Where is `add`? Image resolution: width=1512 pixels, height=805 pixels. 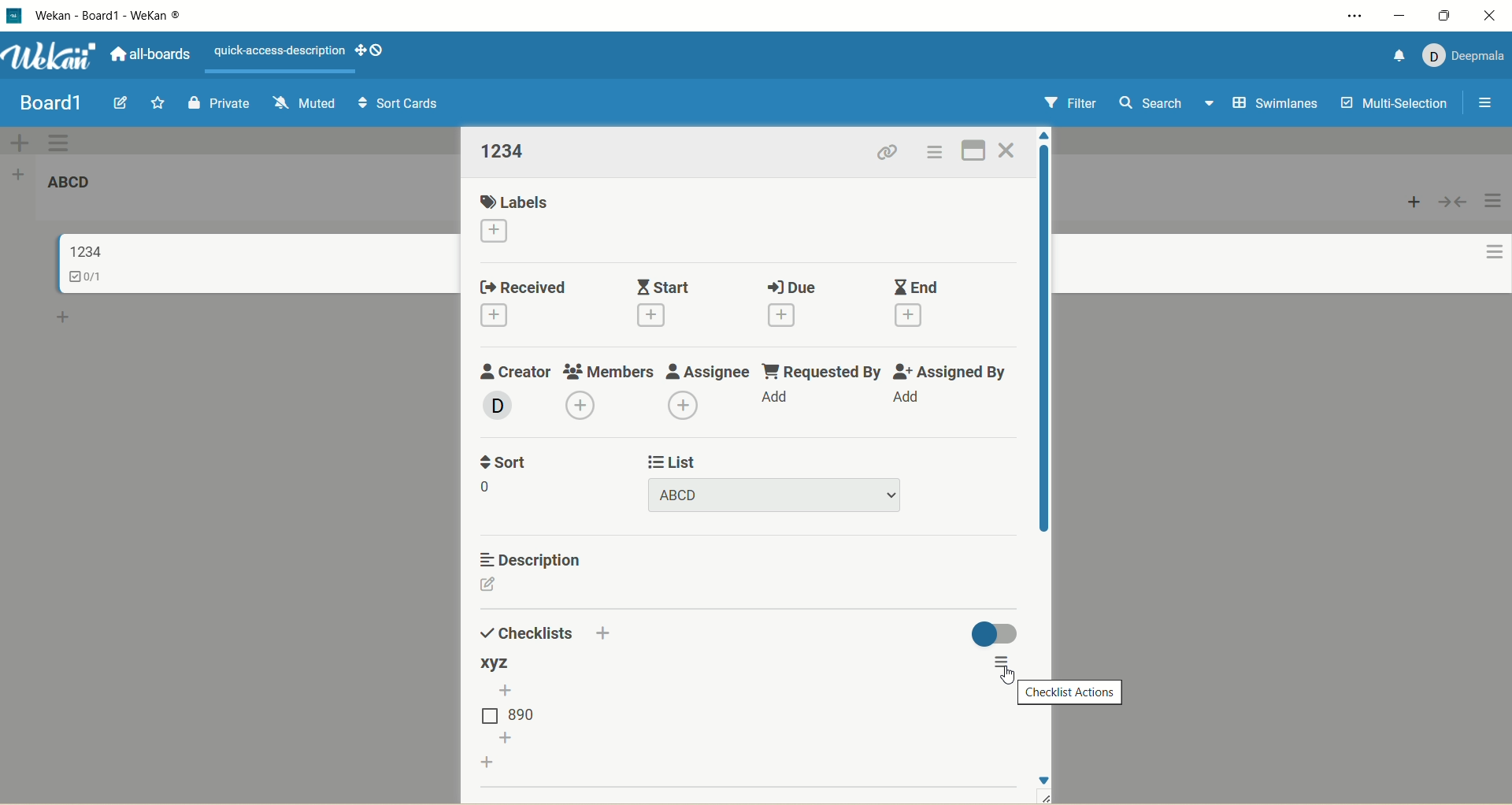 add is located at coordinates (494, 317).